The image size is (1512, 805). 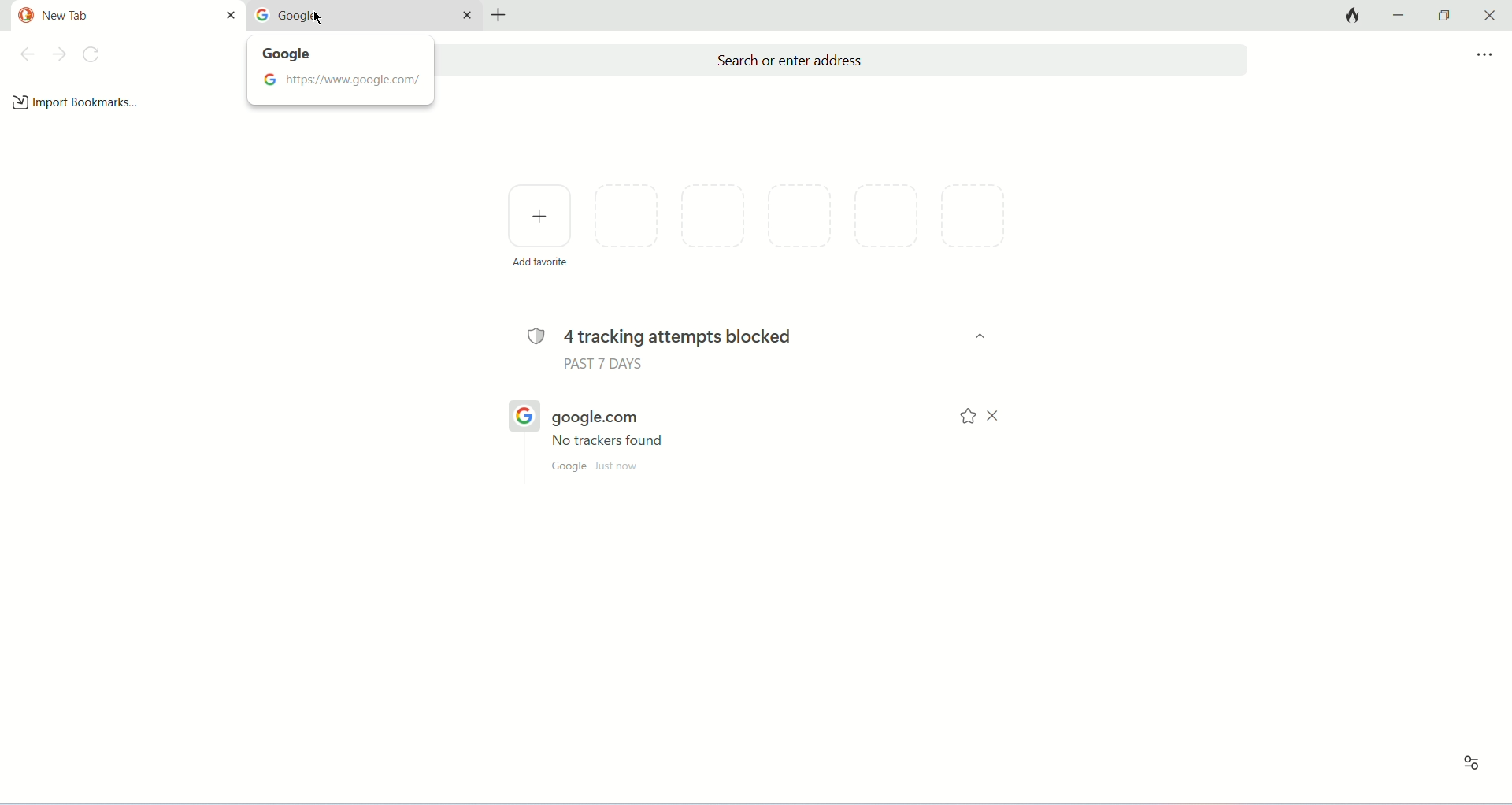 I want to click on close, so click(x=231, y=16).